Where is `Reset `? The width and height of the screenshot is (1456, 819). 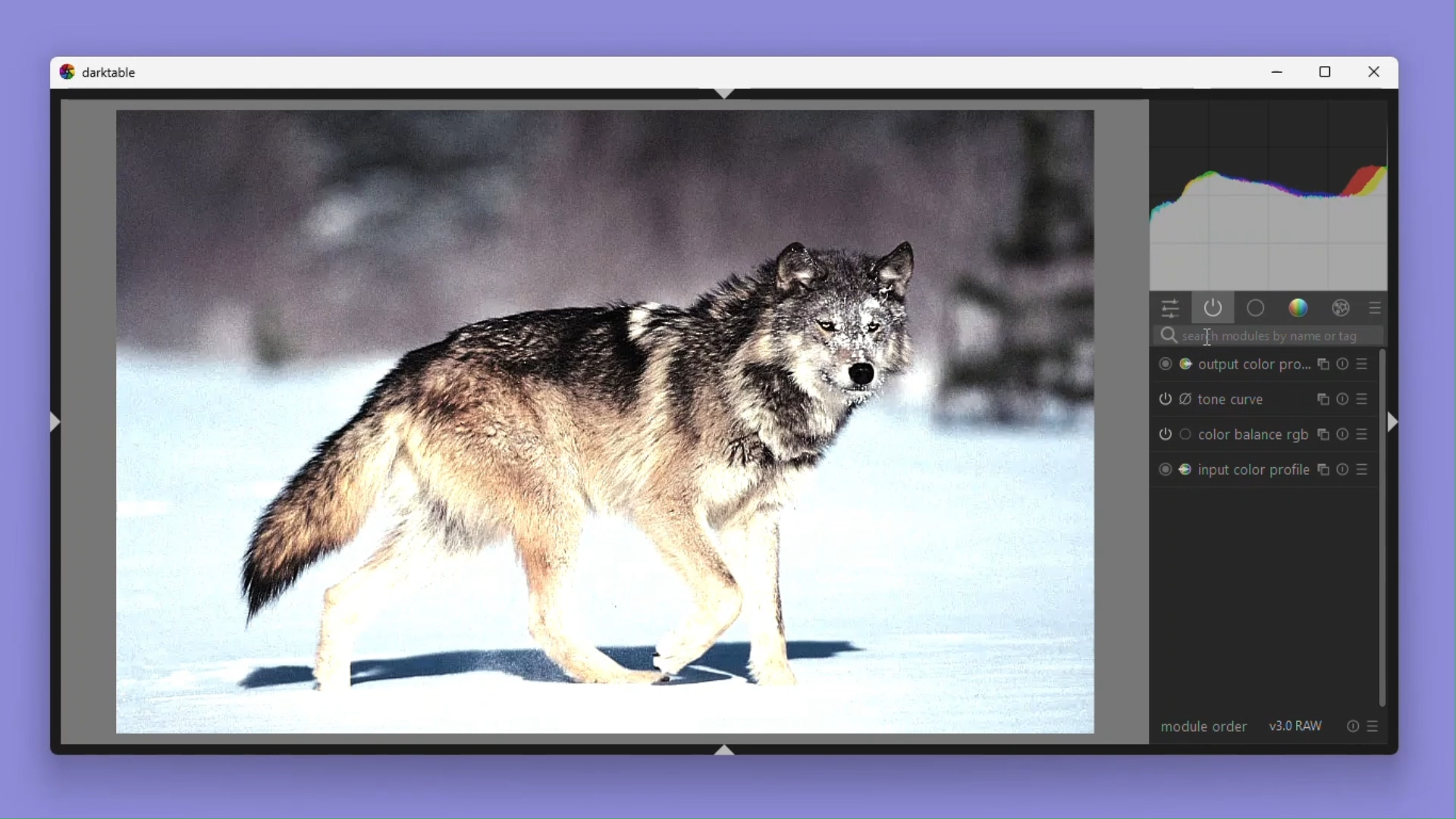 Reset  is located at coordinates (1343, 363).